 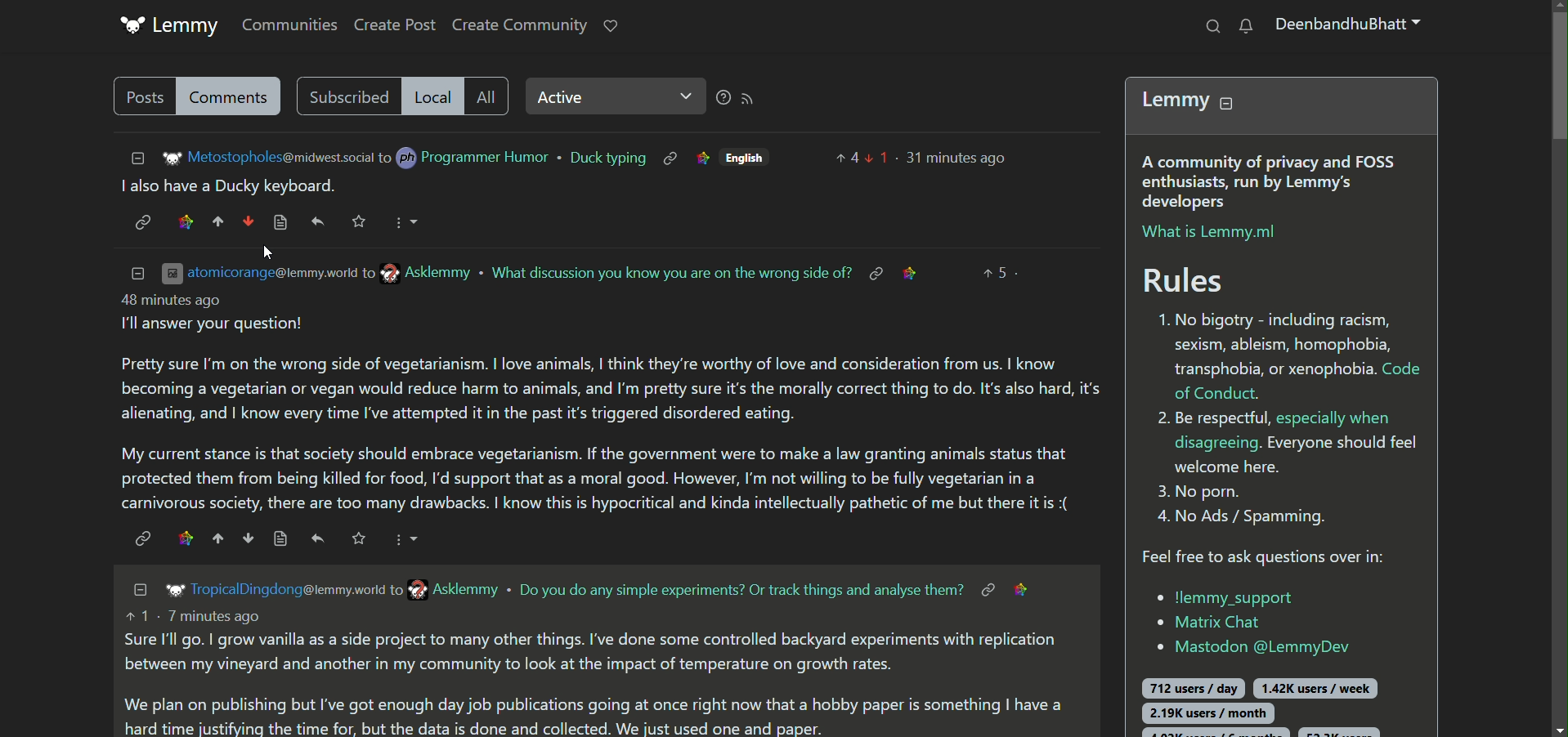 I want to click on type of typing, so click(x=606, y=159).